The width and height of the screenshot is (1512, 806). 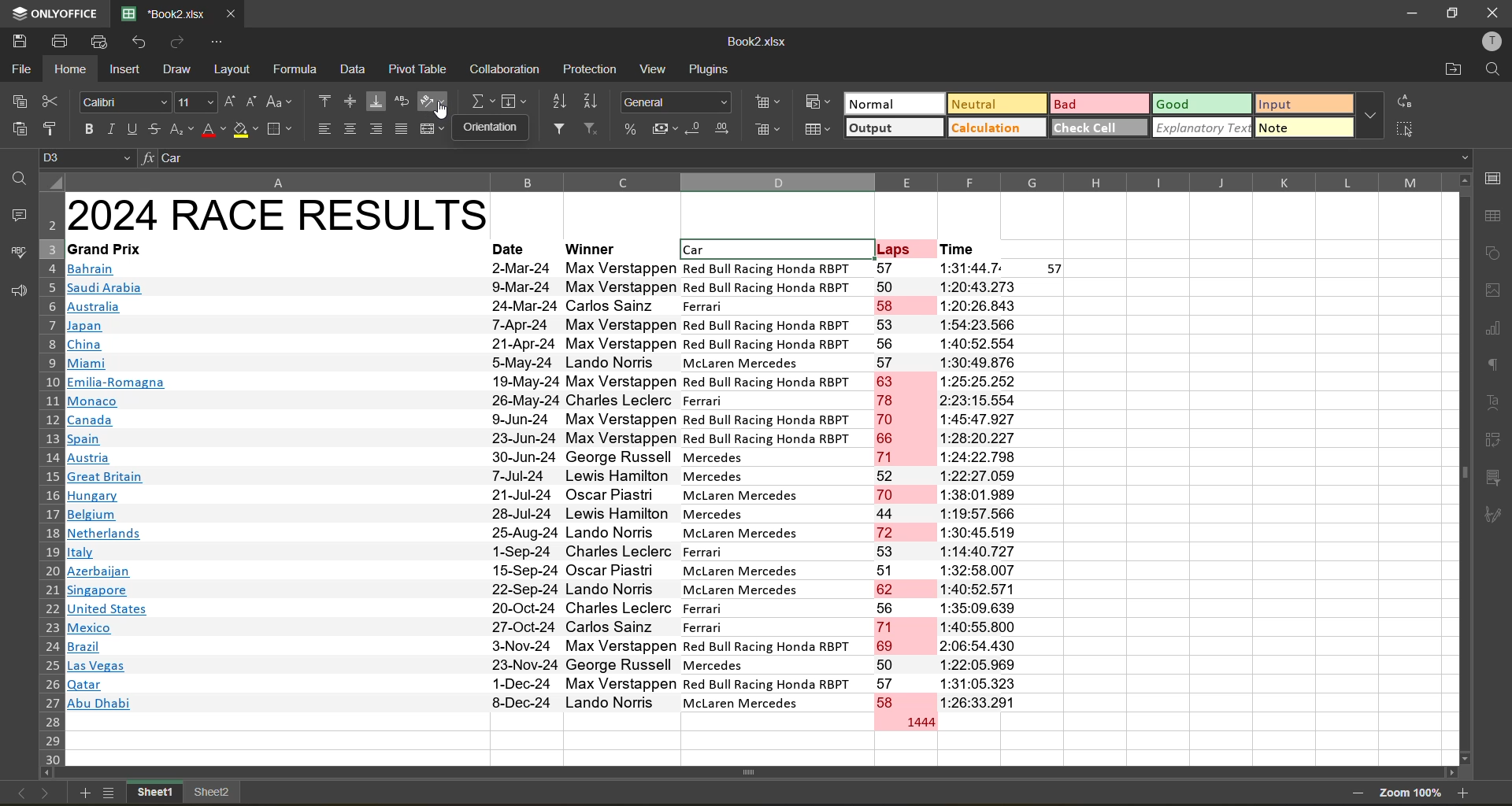 I want to click on insert cells, so click(x=769, y=105).